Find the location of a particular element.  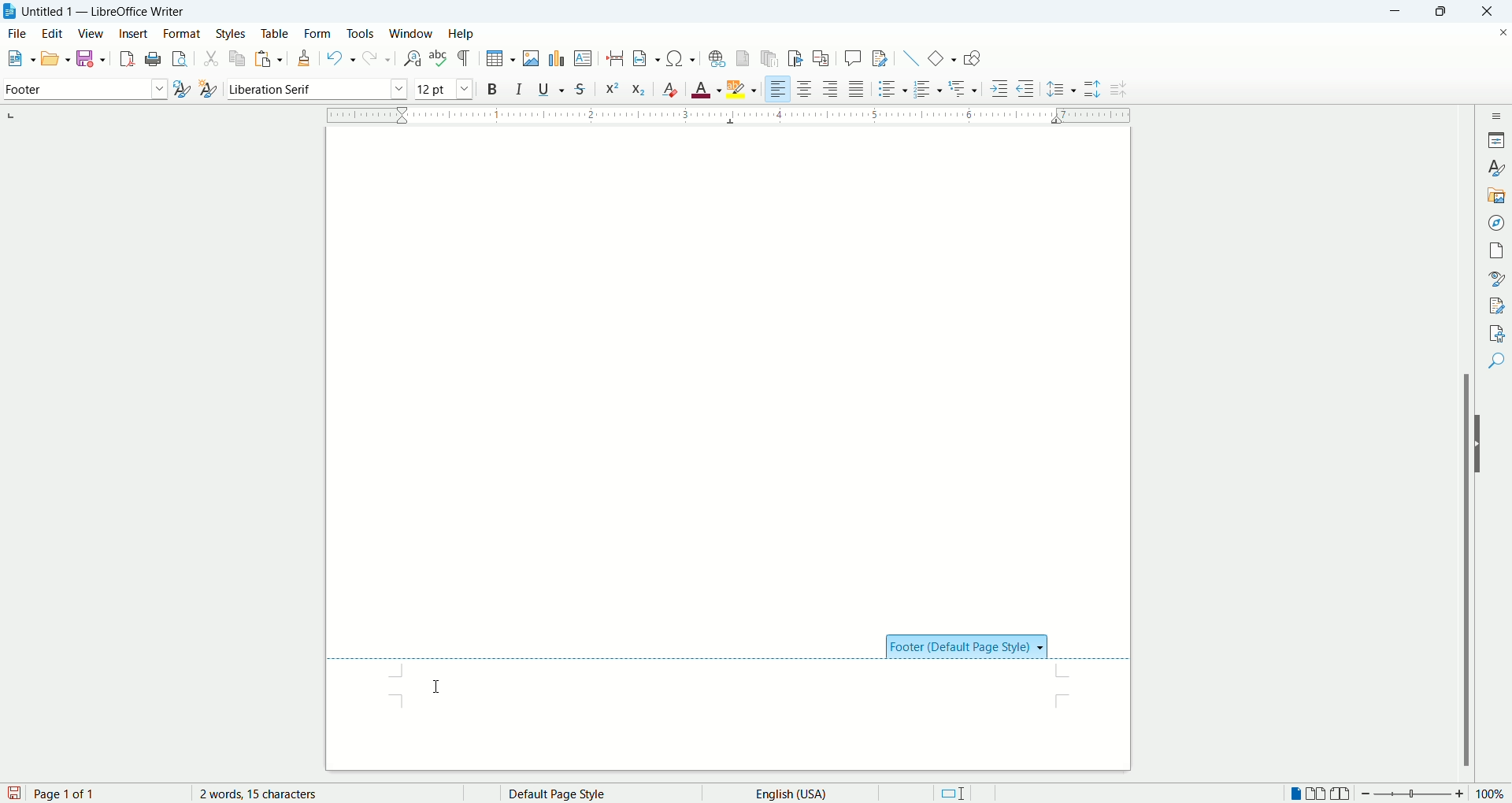

save is located at coordinates (93, 57).